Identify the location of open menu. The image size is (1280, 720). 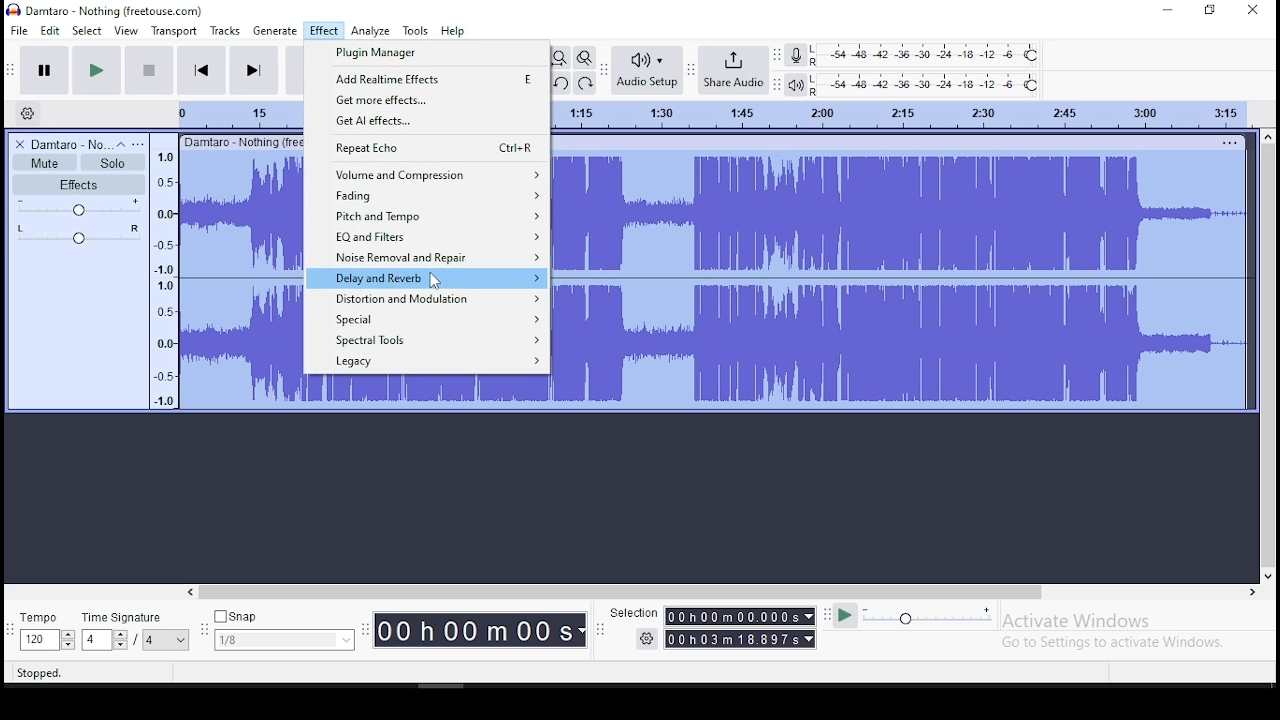
(141, 142).